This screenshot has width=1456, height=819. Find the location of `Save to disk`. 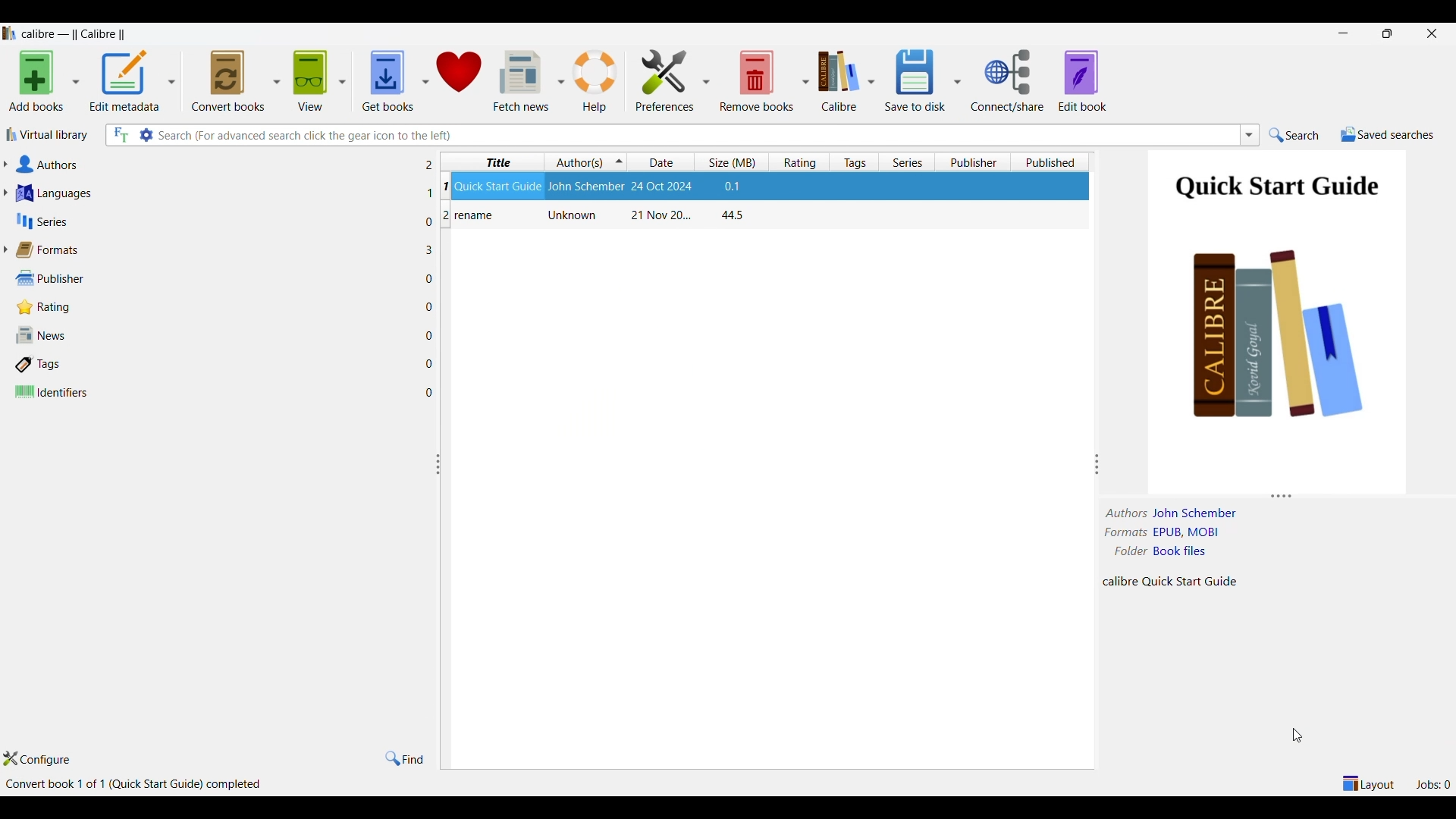

Save to disk is located at coordinates (916, 81).